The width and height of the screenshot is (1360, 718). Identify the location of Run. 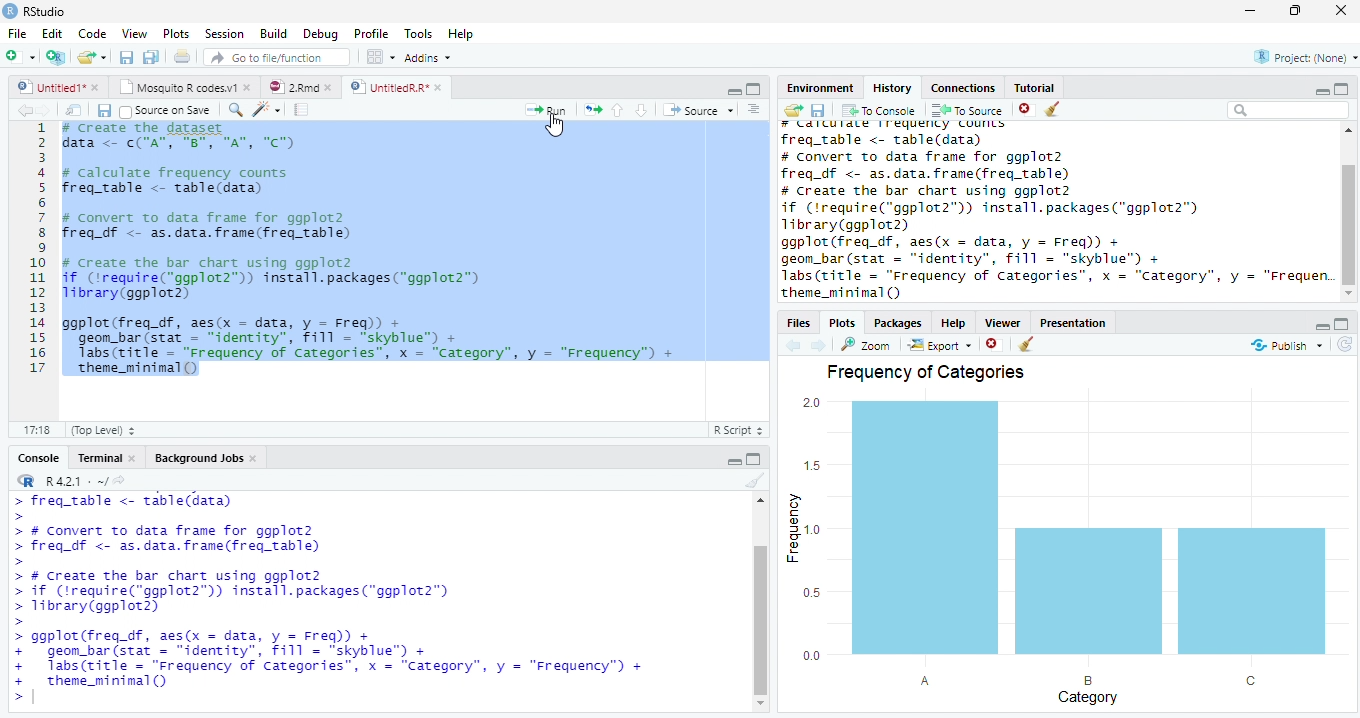
(549, 110).